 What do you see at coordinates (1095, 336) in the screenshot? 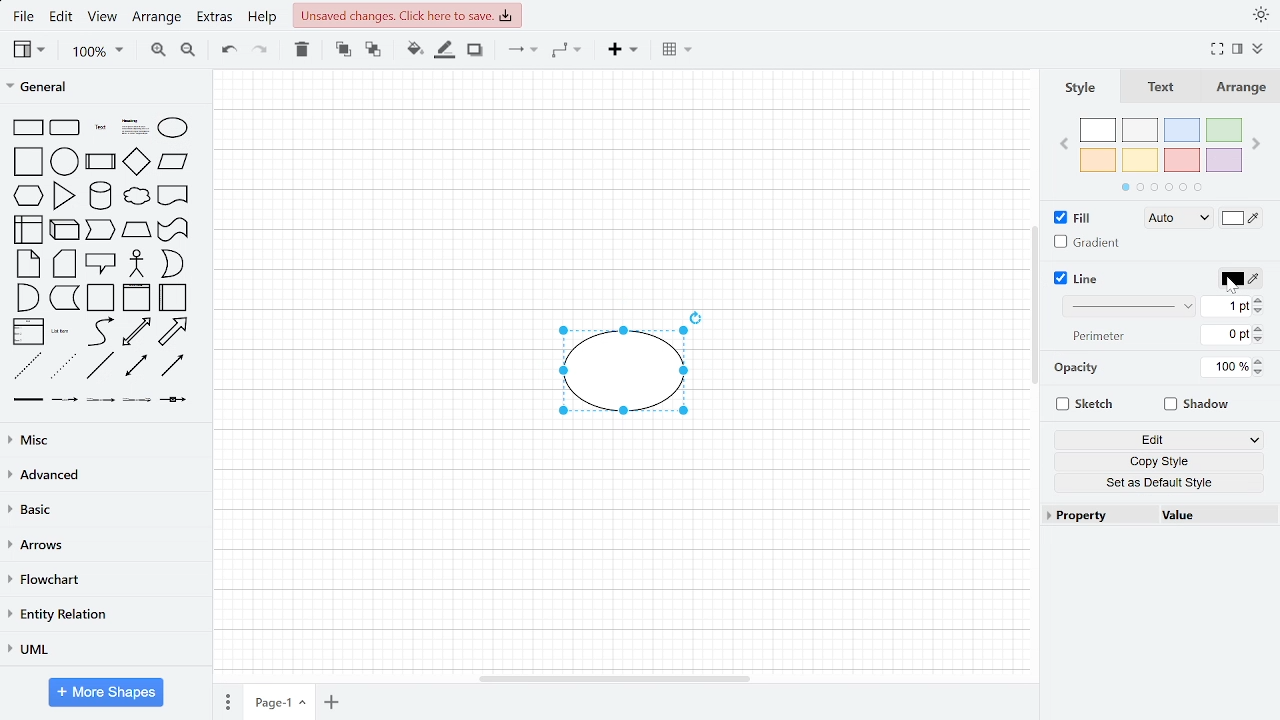
I see `perimeter` at bounding box center [1095, 336].